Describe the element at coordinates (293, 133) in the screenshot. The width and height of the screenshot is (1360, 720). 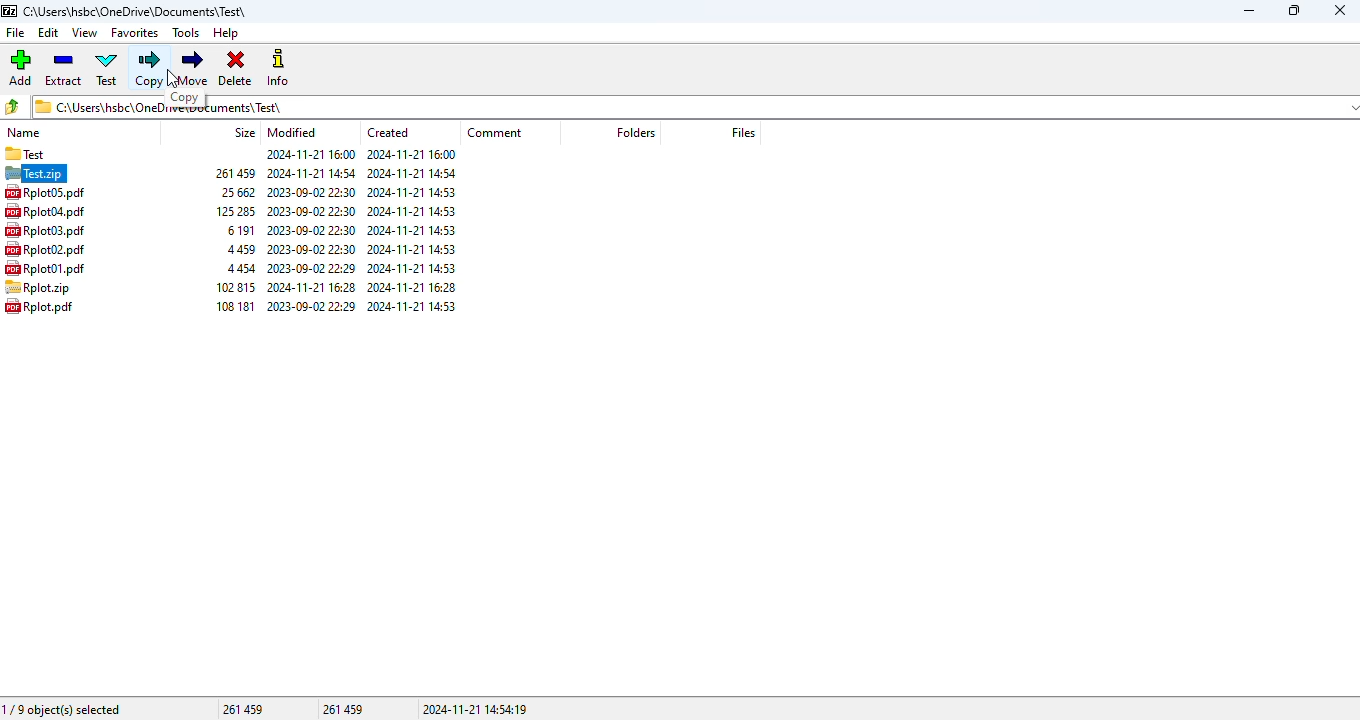
I see `modified` at that location.